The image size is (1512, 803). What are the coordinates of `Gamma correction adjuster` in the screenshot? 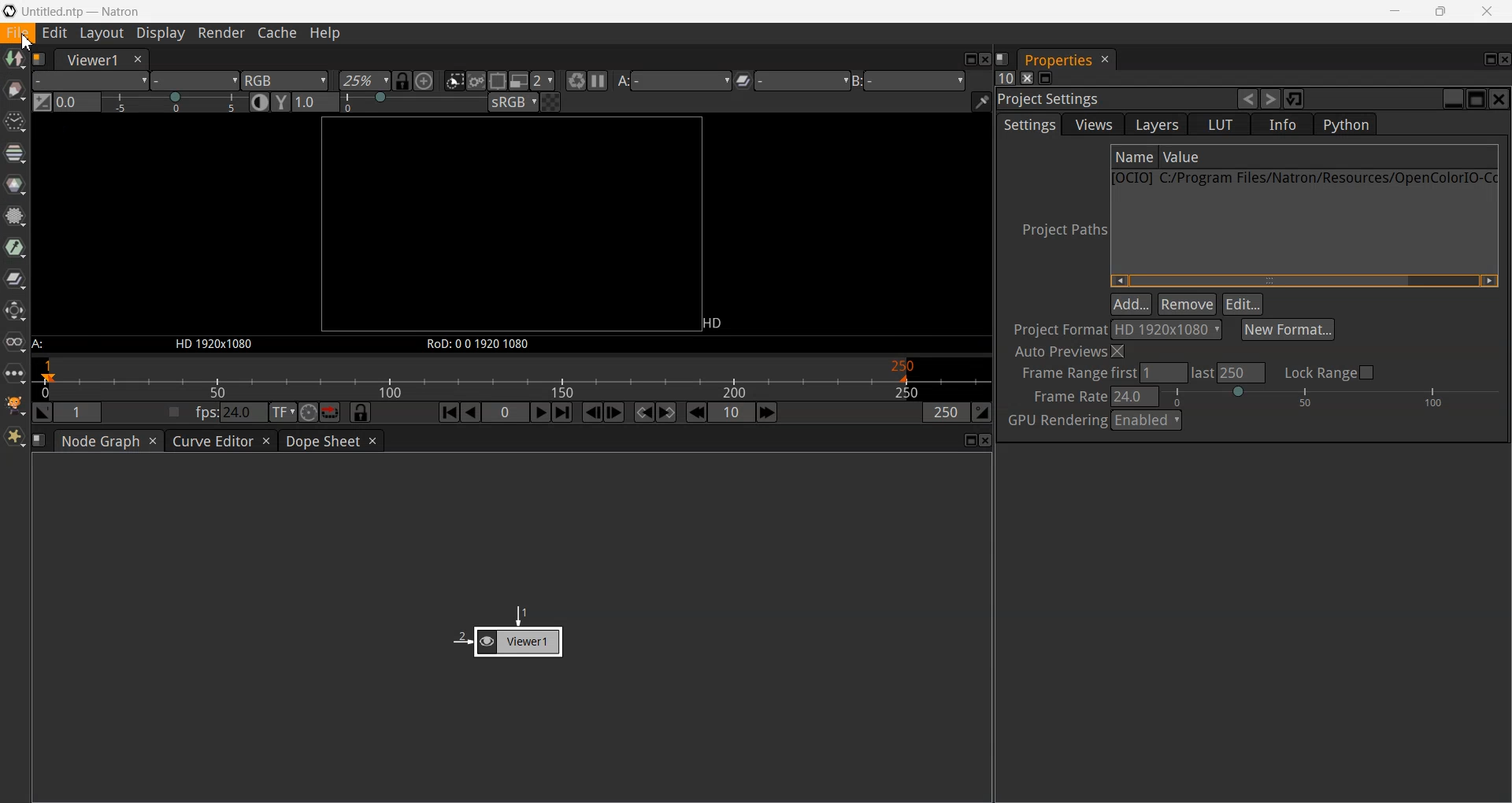 It's located at (415, 102).